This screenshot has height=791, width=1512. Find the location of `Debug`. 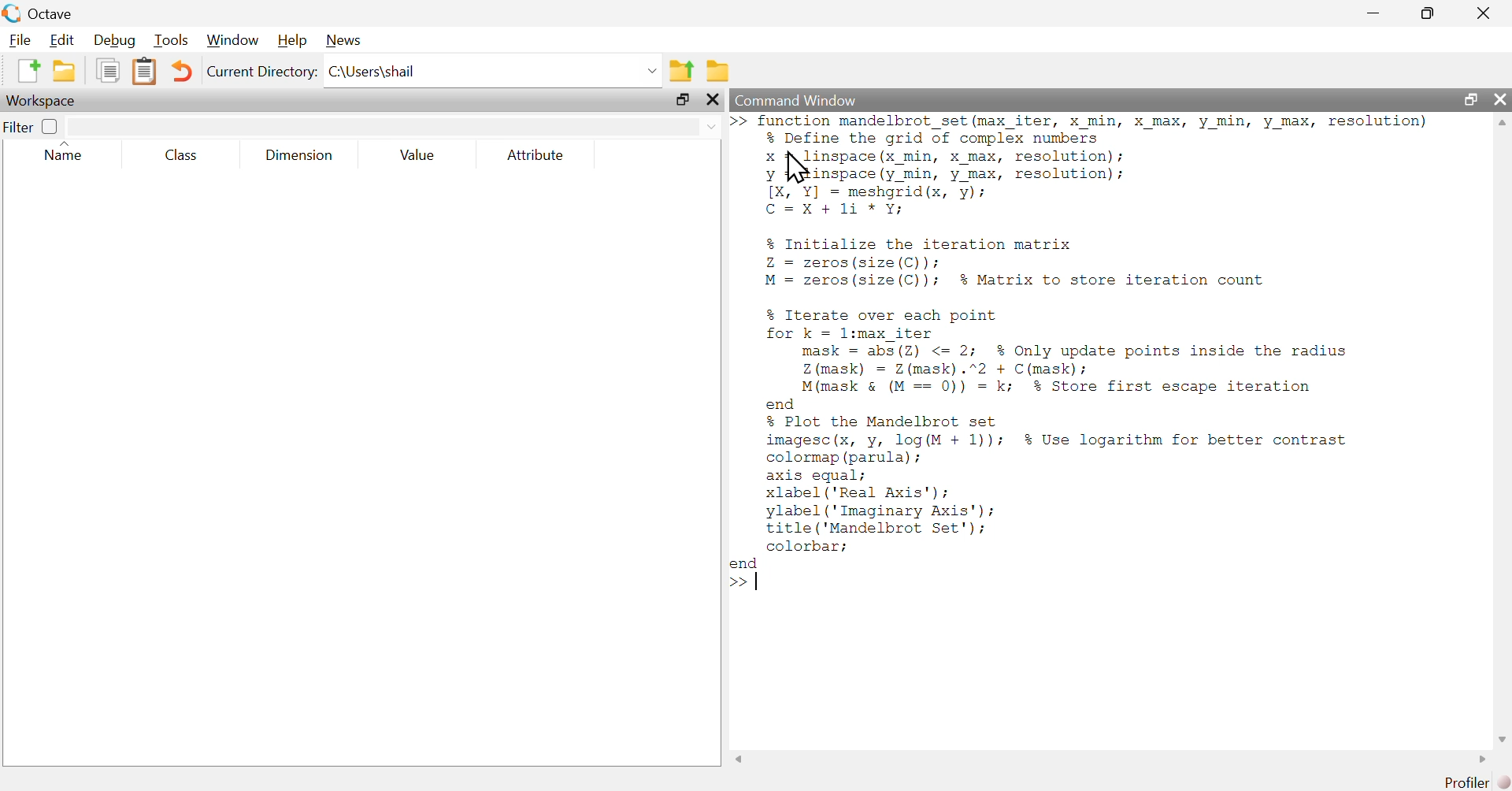

Debug is located at coordinates (113, 40).